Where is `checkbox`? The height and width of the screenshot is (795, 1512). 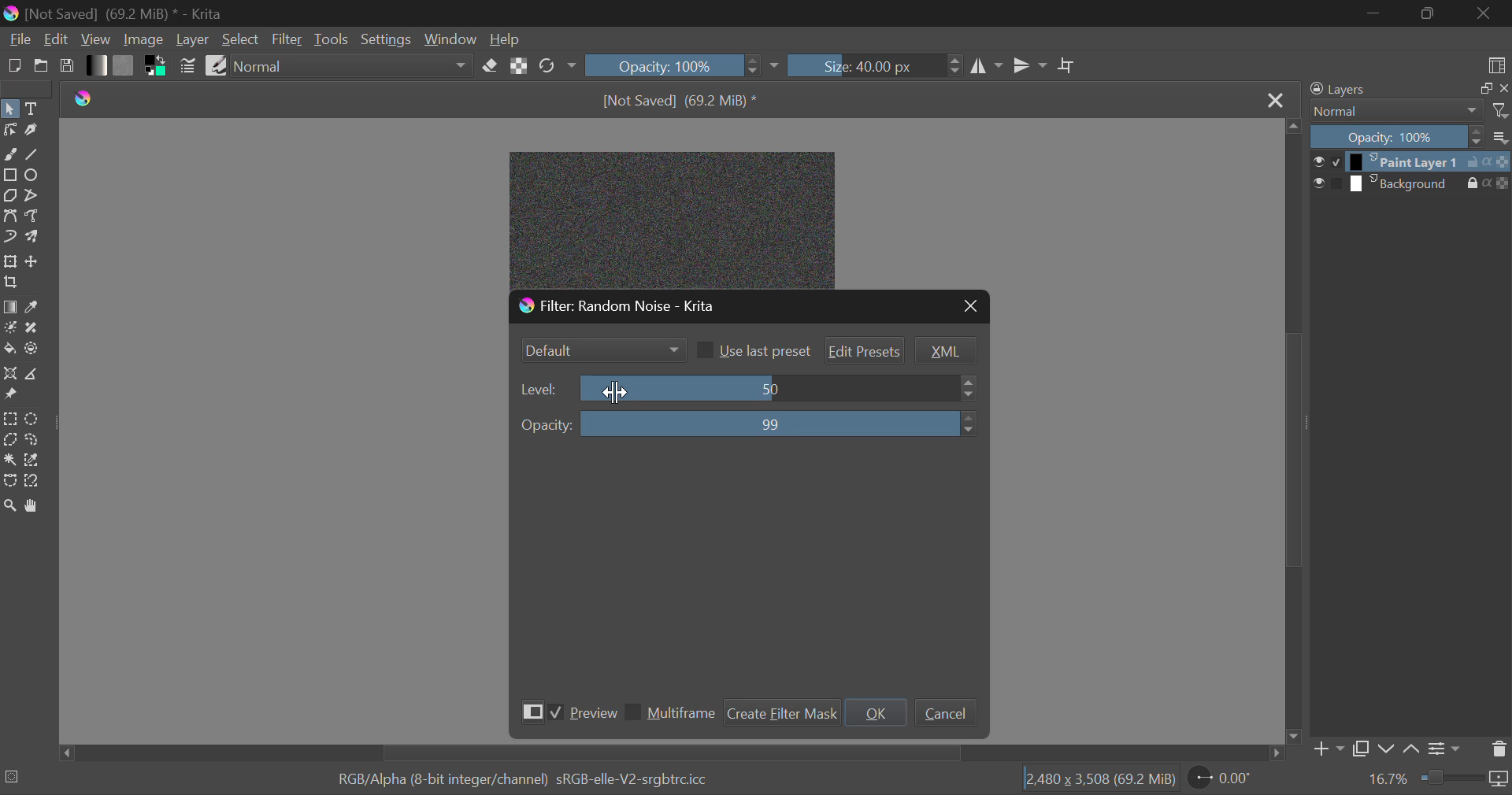
checkbox is located at coordinates (1333, 162).